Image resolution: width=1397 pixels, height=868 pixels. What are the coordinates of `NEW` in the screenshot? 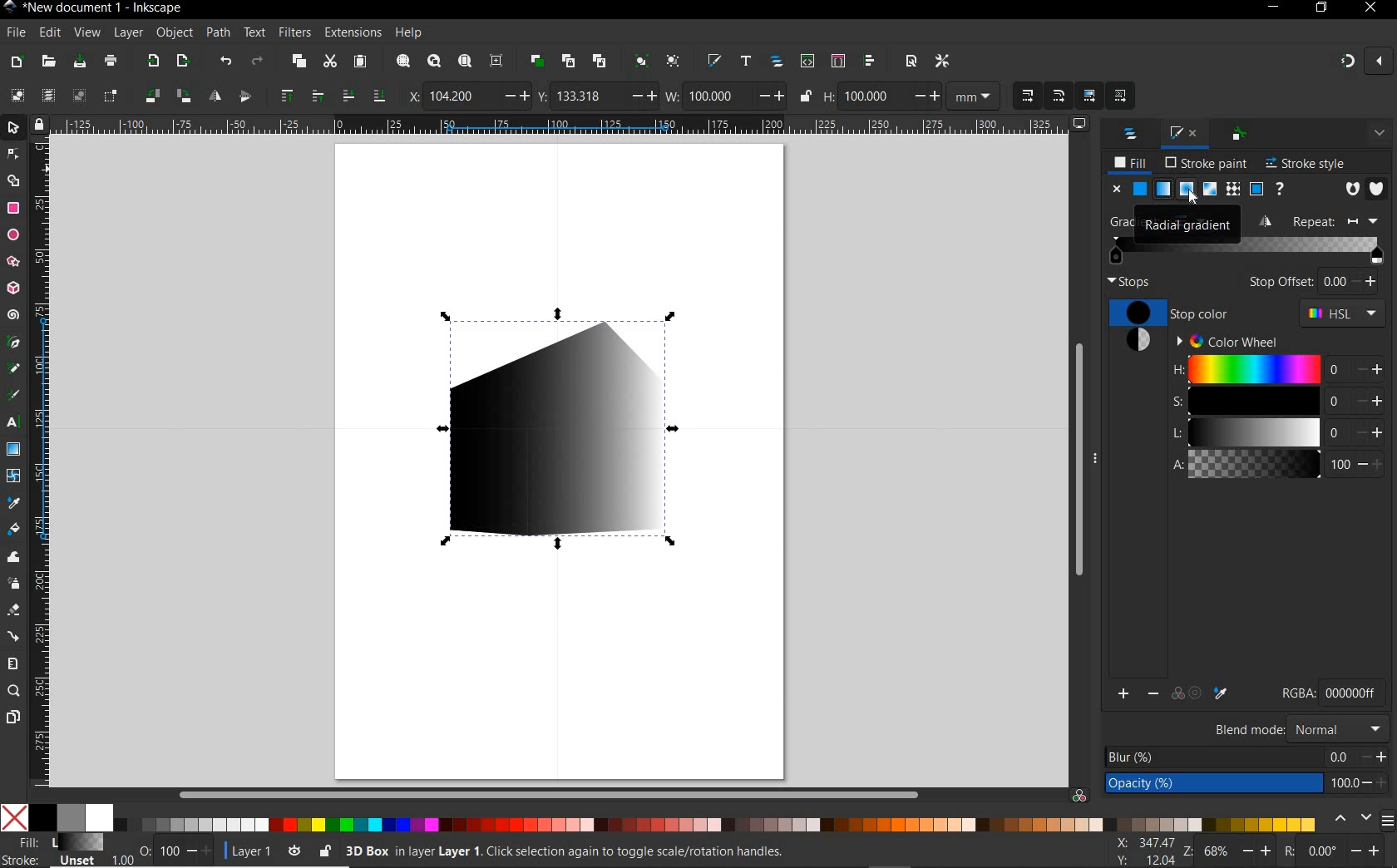 It's located at (16, 62).